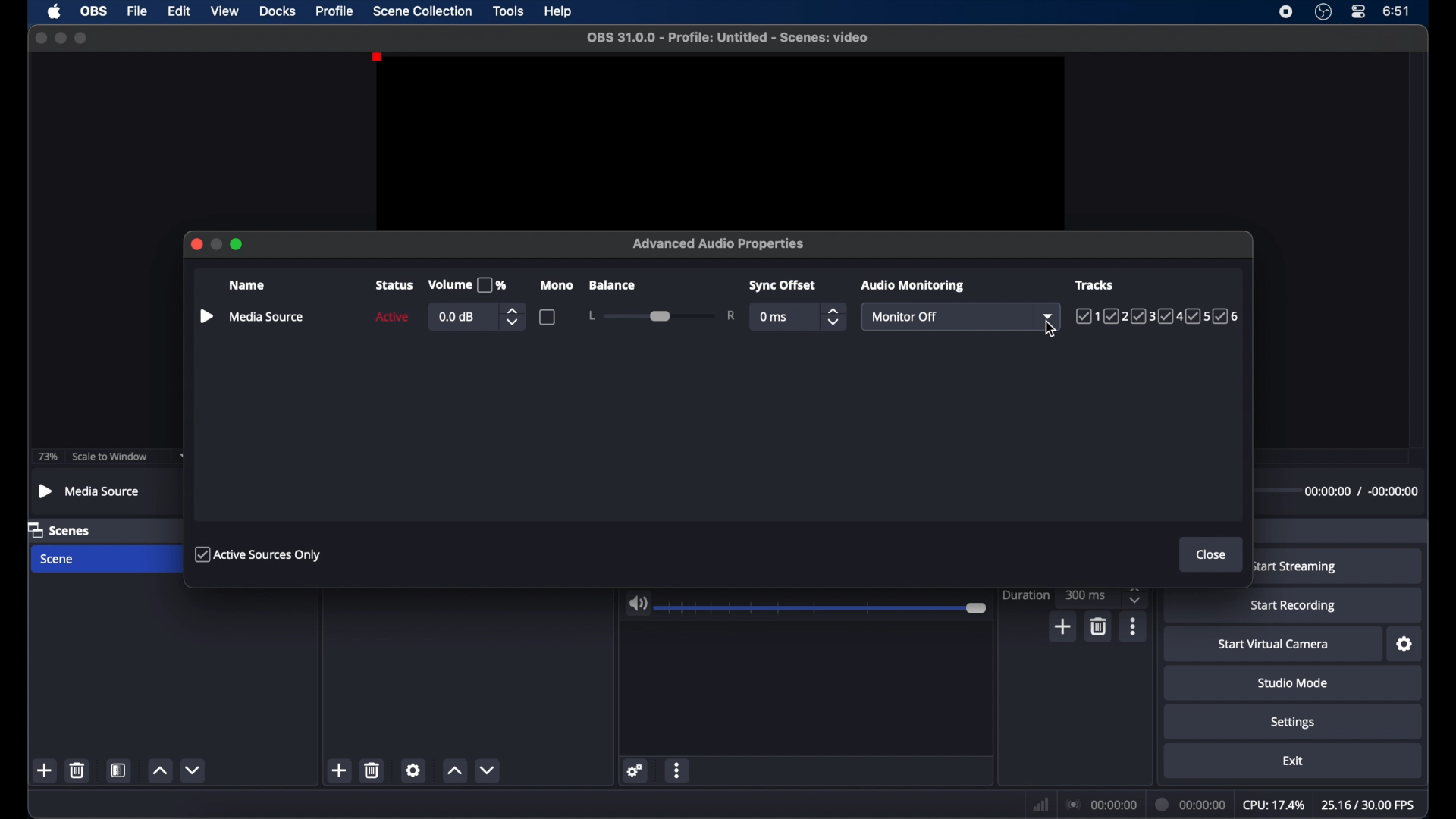 The height and width of the screenshot is (819, 1456). Describe the element at coordinates (120, 770) in the screenshot. I see `scene filters` at that location.